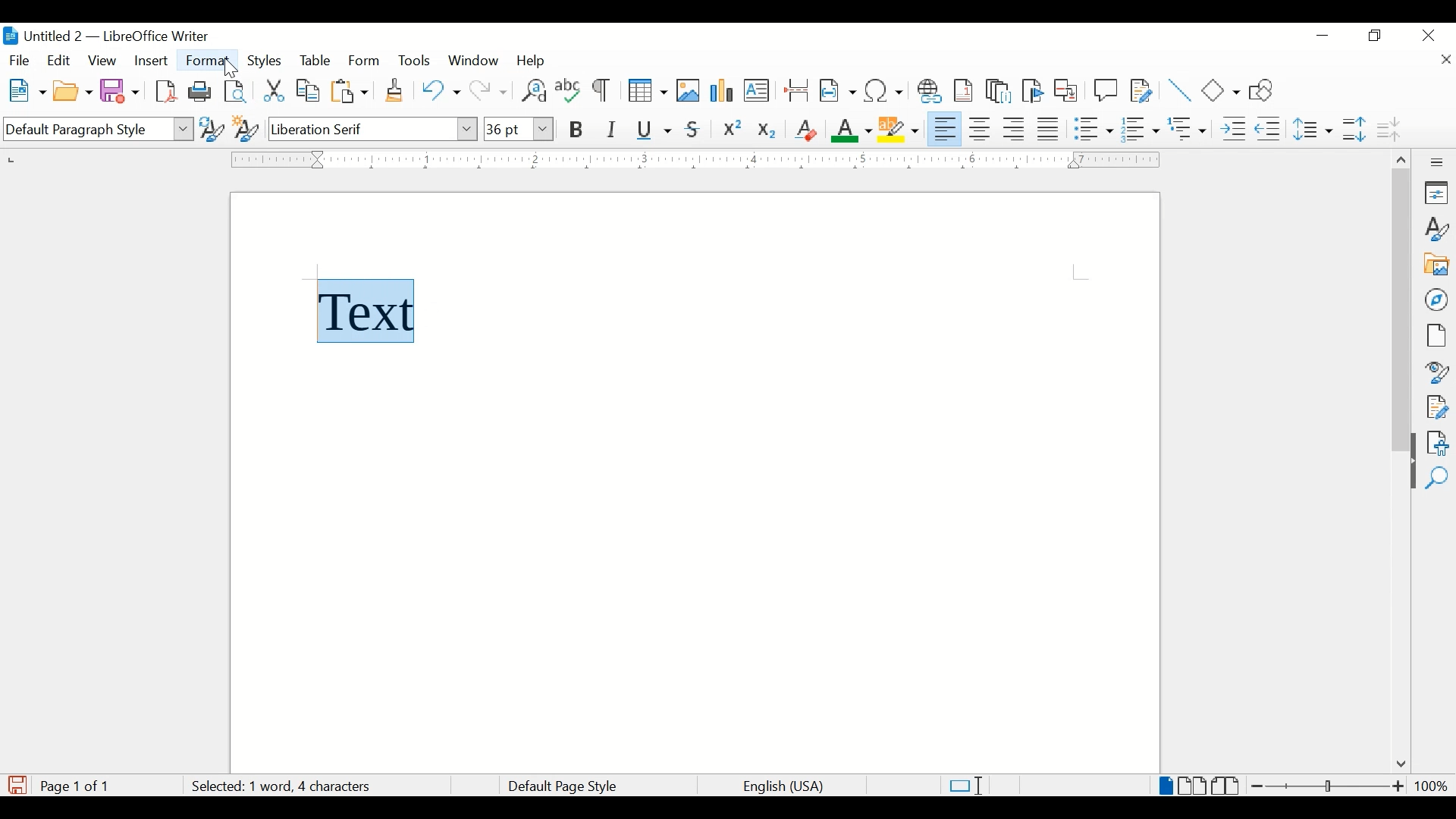 The width and height of the screenshot is (1456, 819). What do you see at coordinates (532, 90) in the screenshot?
I see `find and replace` at bounding box center [532, 90].